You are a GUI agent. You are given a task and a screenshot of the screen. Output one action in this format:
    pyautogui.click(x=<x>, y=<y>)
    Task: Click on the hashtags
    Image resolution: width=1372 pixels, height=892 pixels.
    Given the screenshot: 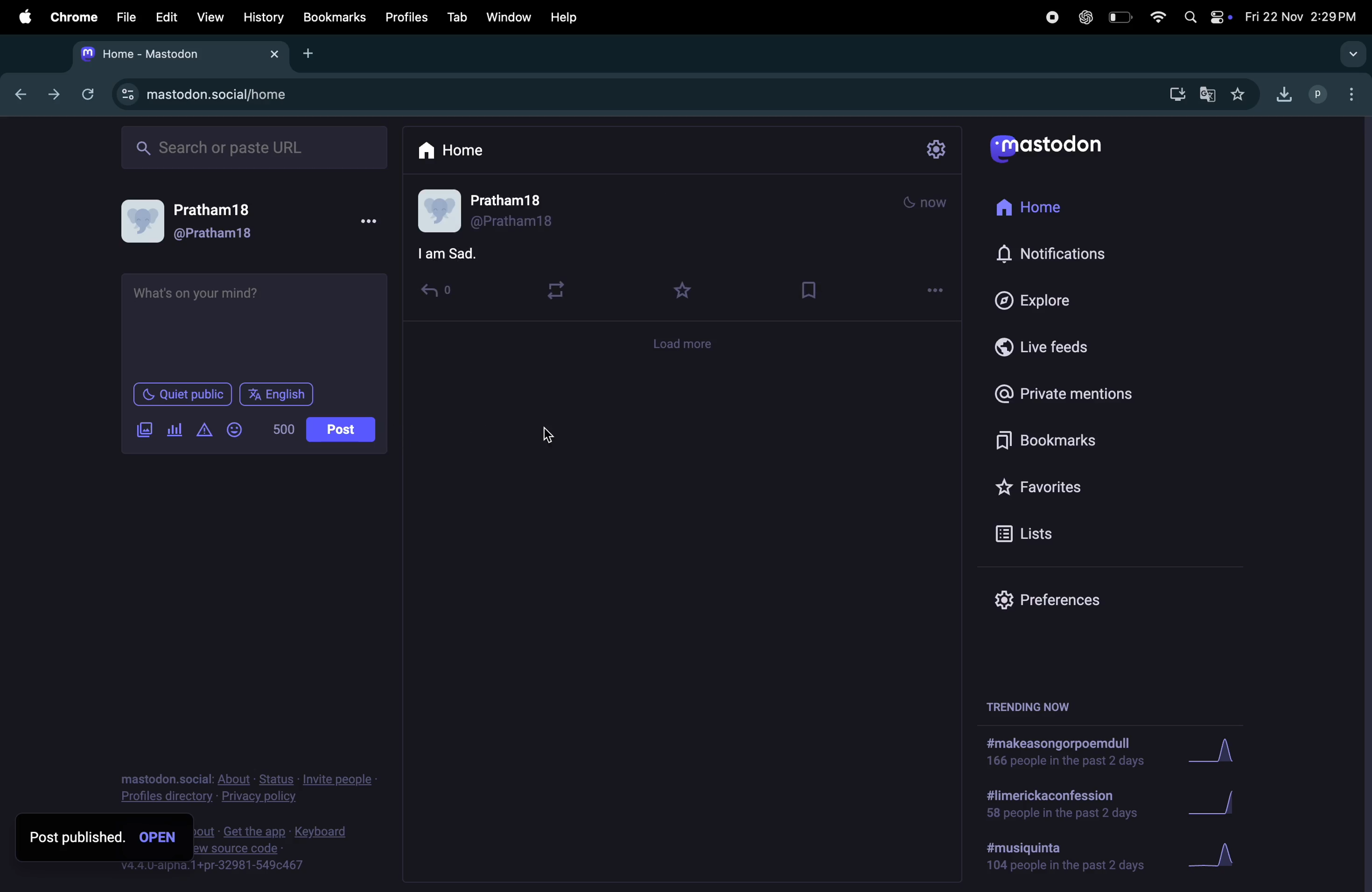 What is the action you would take?
    pyautogui.click(x=1068, y=753)
    